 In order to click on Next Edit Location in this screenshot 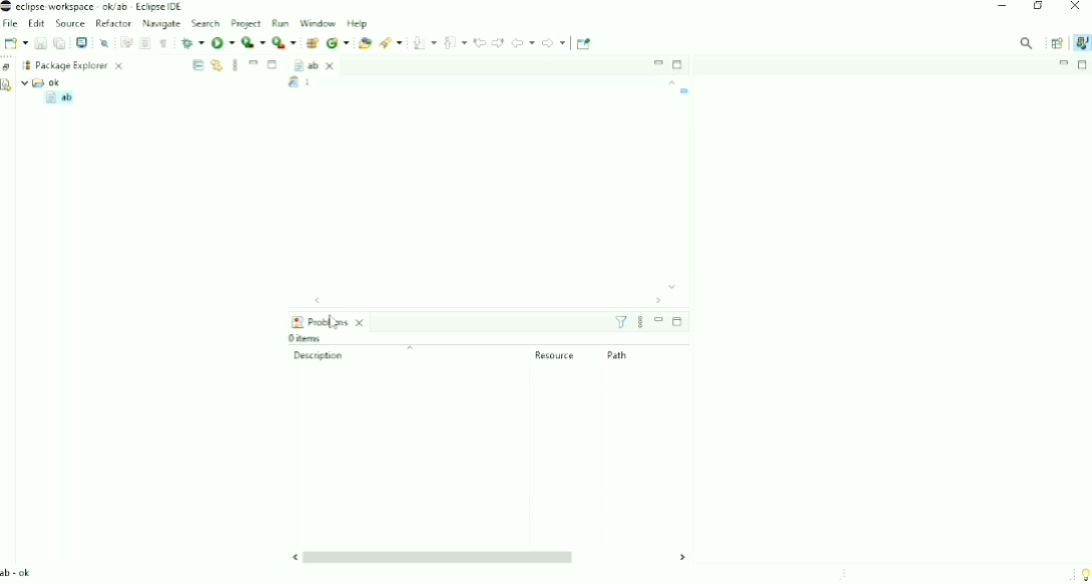, I will do `click(498, 42)`.